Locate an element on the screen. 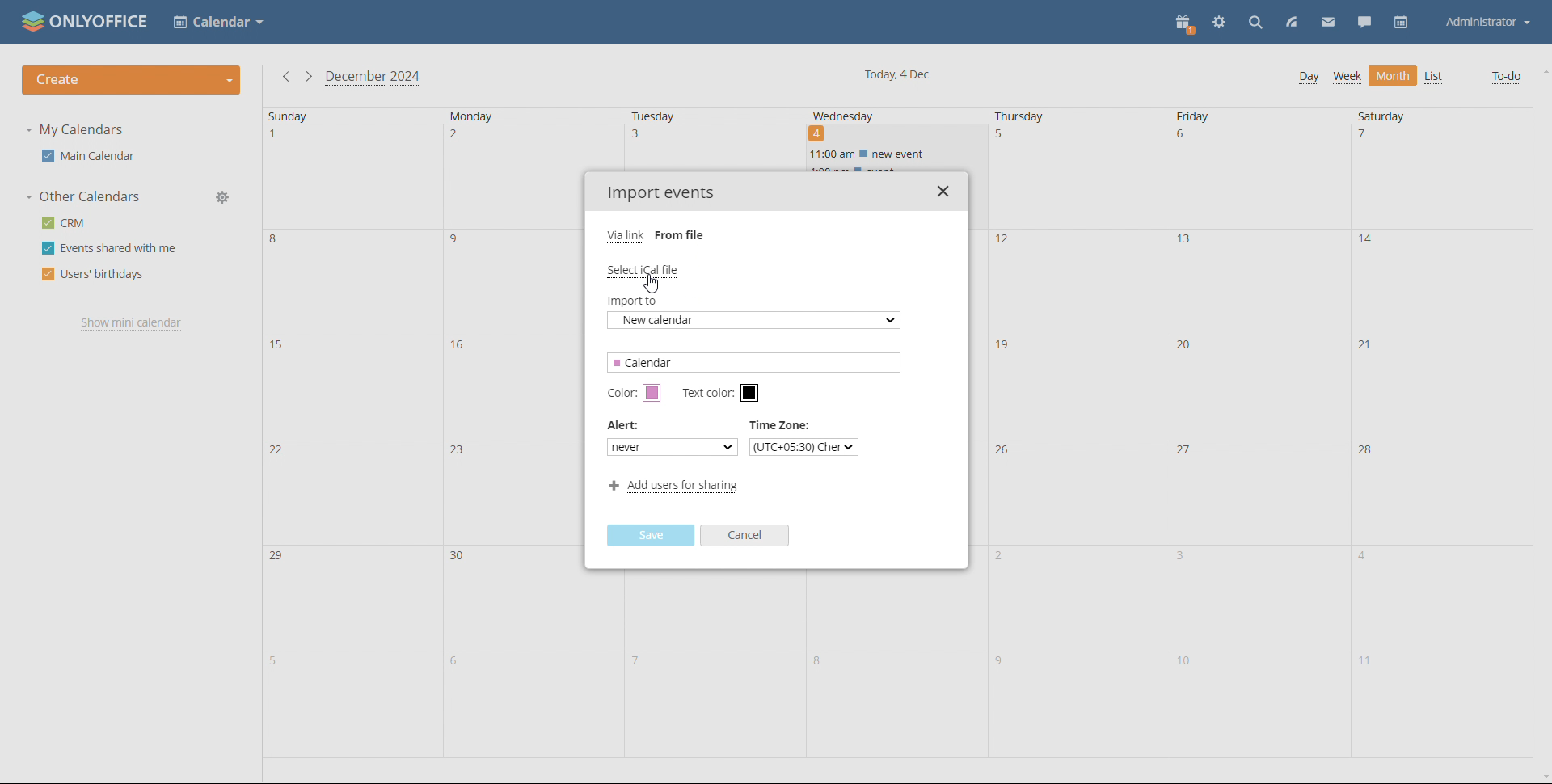 This screenshot has width=1552, height=784. color: is located at coordinates (622, 393).